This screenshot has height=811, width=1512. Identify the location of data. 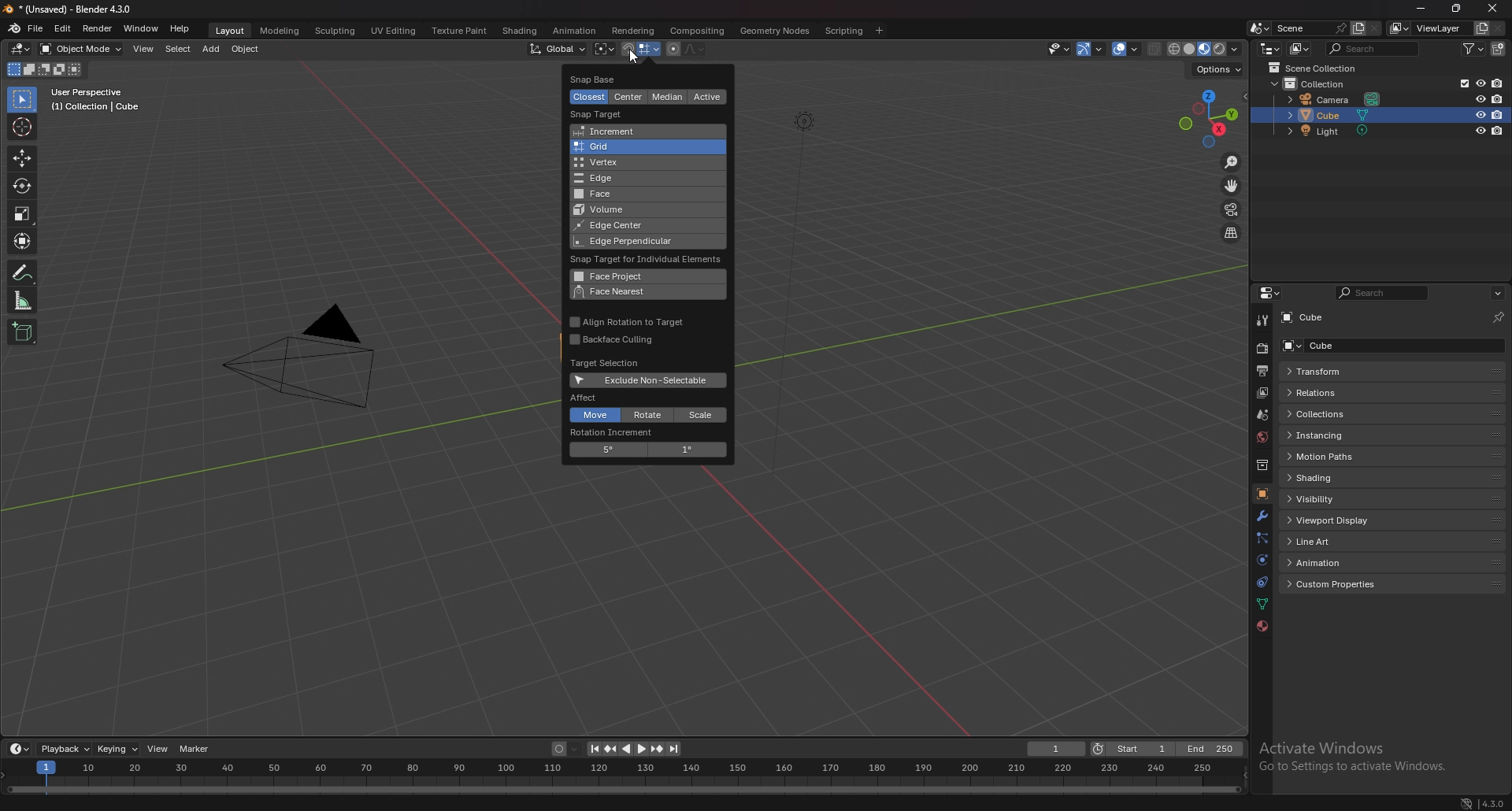
(1264, 603).